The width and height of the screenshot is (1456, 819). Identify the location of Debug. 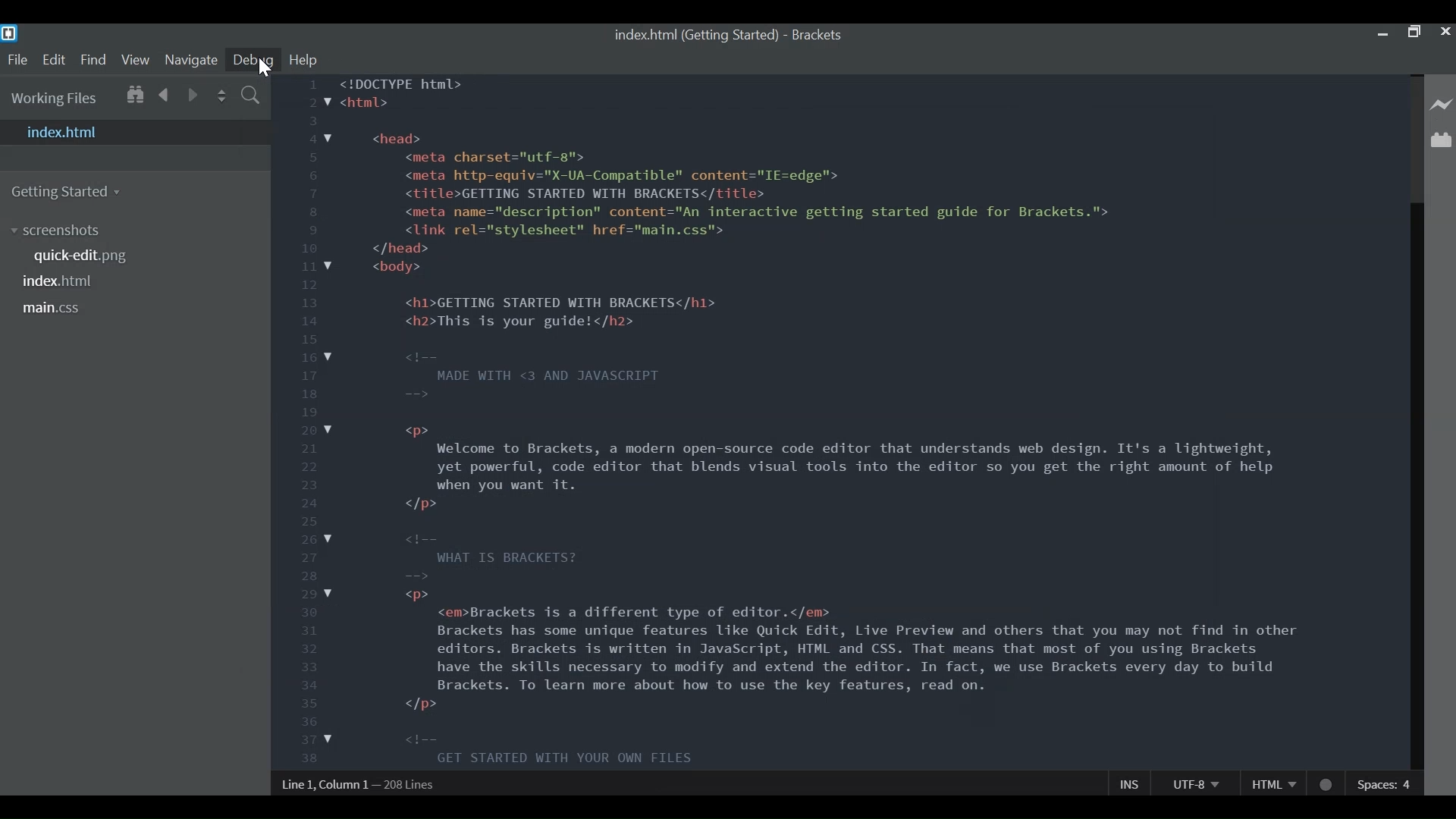
(254, 60).